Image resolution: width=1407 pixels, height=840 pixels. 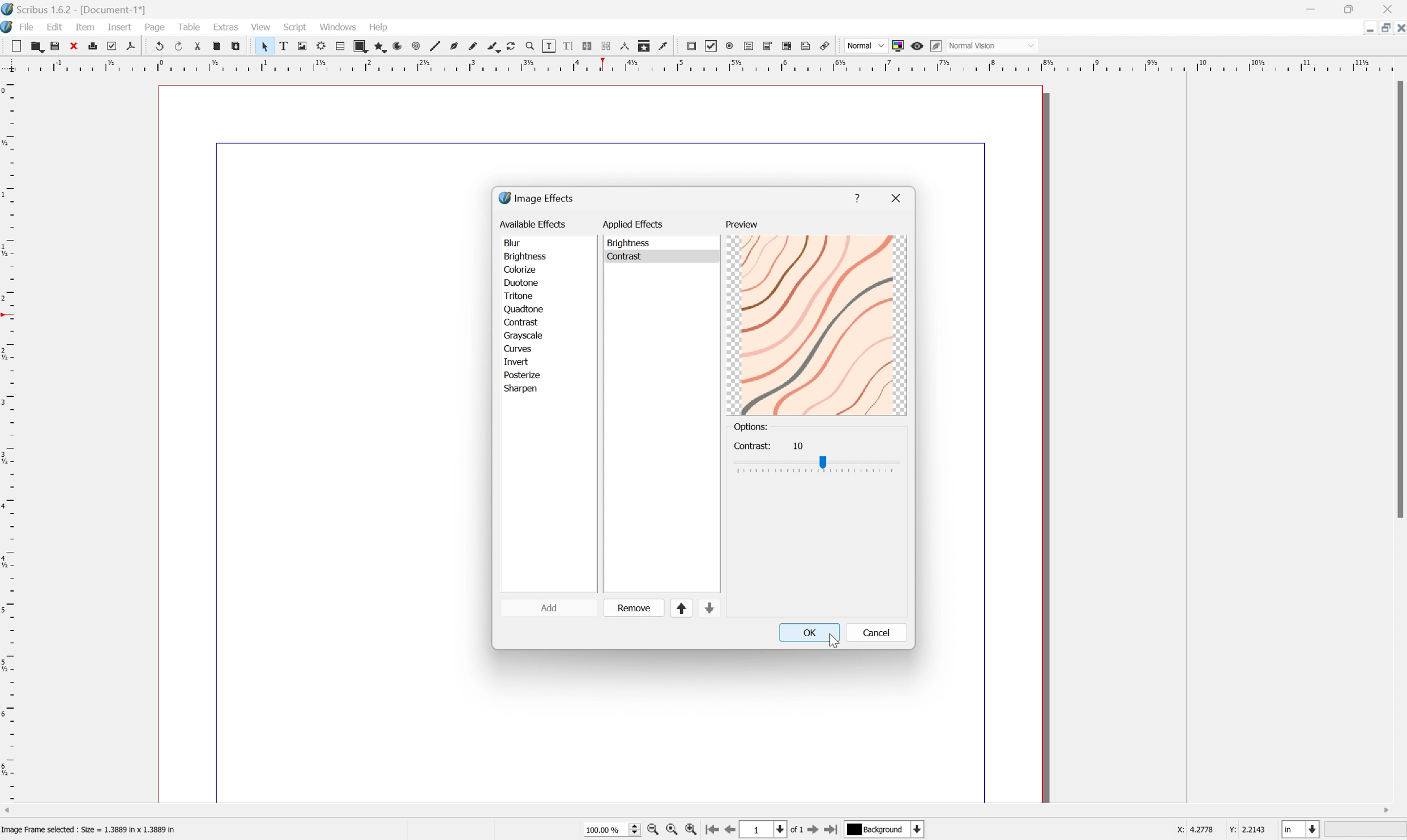 I want to click on help, so click(x=857, y=198).